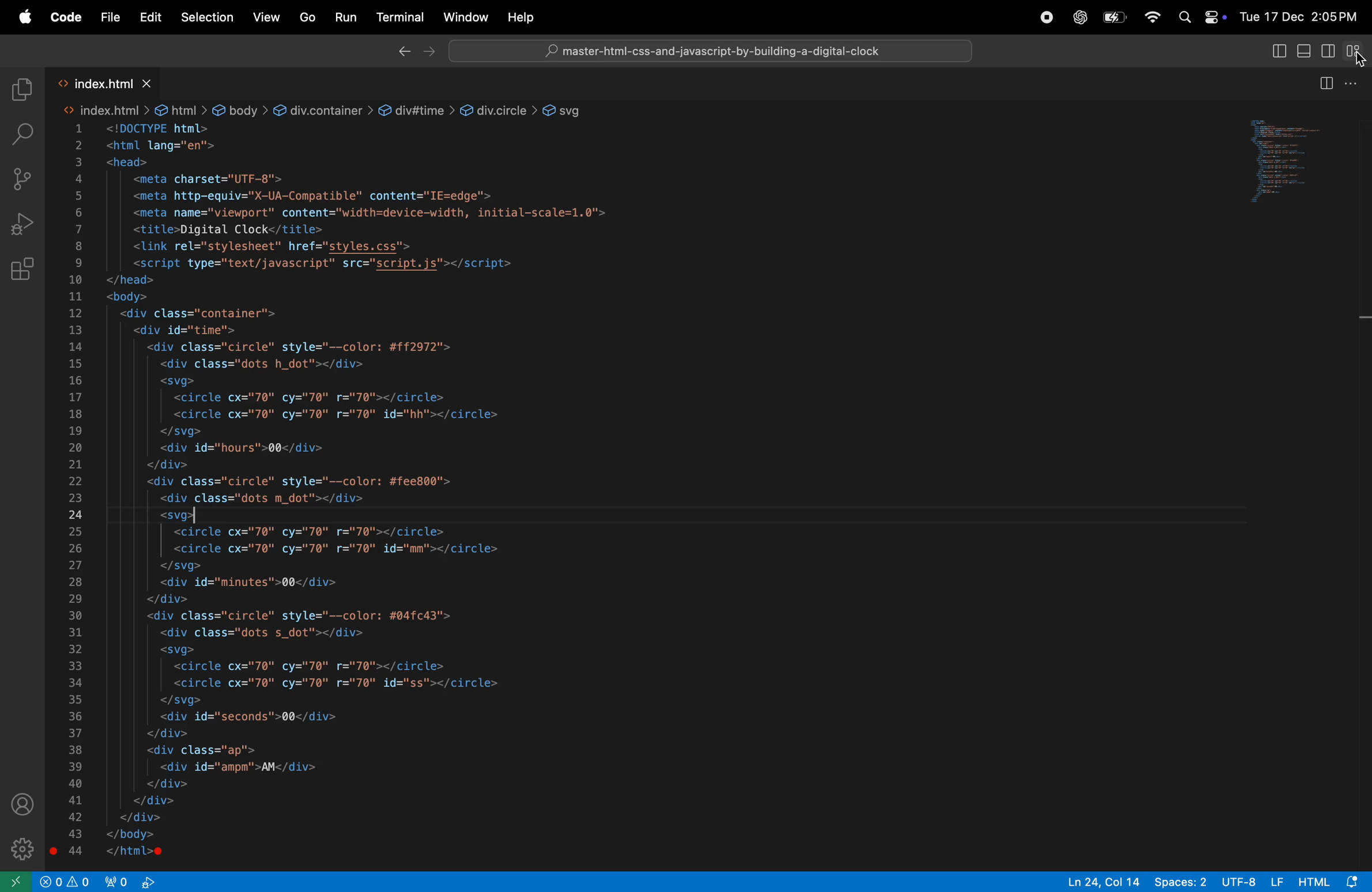  What do you see at coordinates (130, 882) in the screenshot?
I see `view port` at bounding box center [130, 882].